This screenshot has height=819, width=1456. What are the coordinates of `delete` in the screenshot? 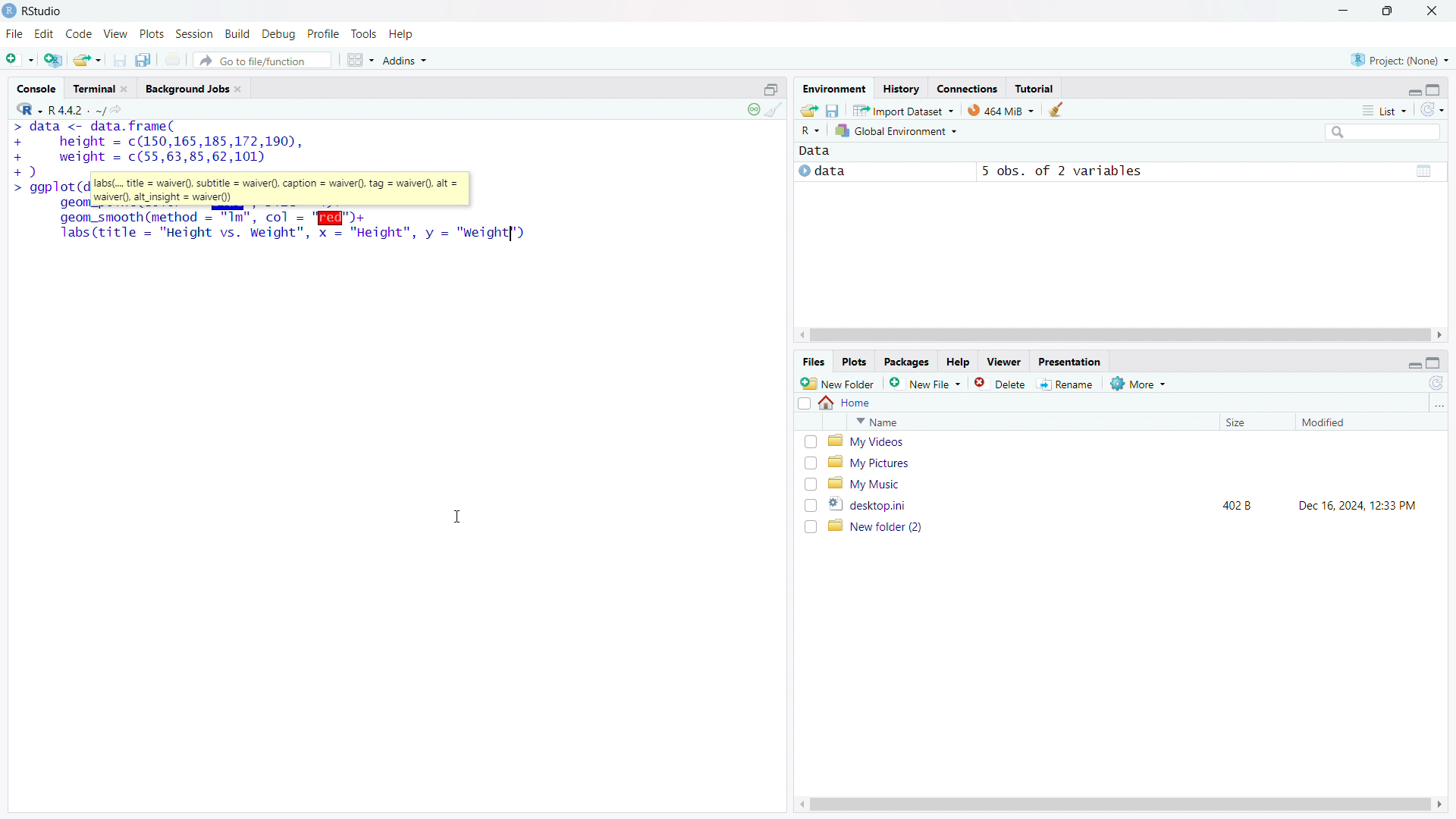 It's located at (1002, 383).